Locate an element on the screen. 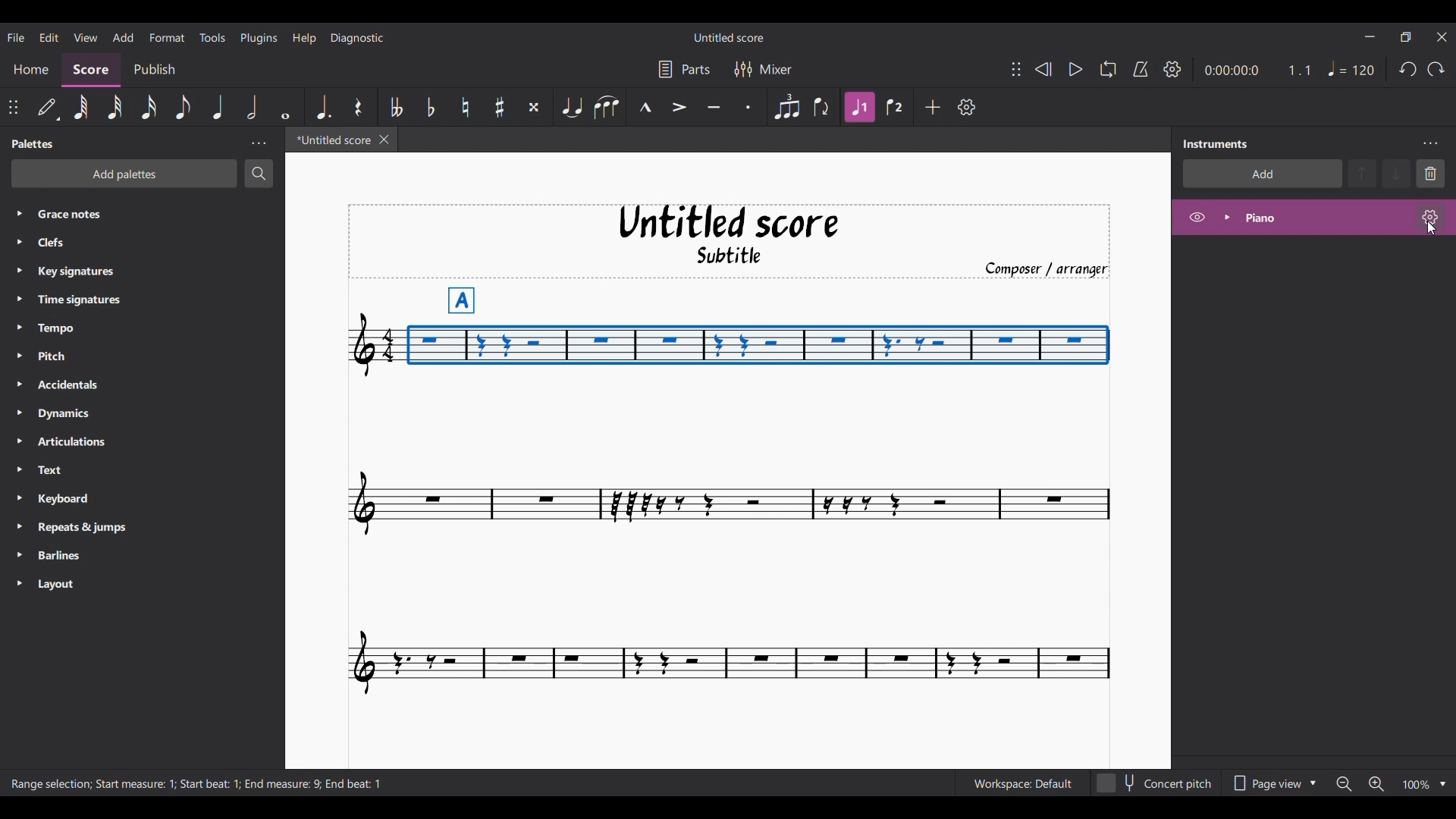  Hide instrument is located at coordinates (1197, 217).